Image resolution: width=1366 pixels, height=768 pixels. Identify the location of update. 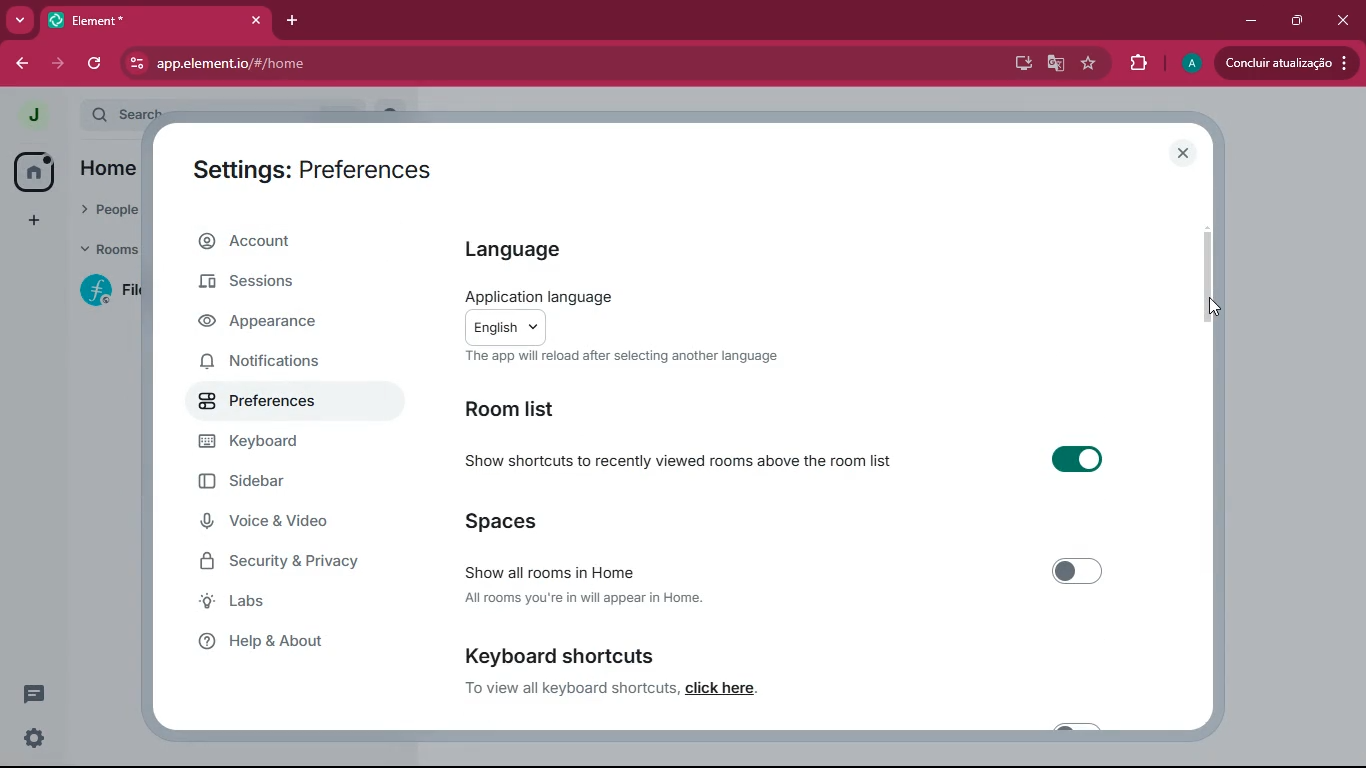
(1286, 61).